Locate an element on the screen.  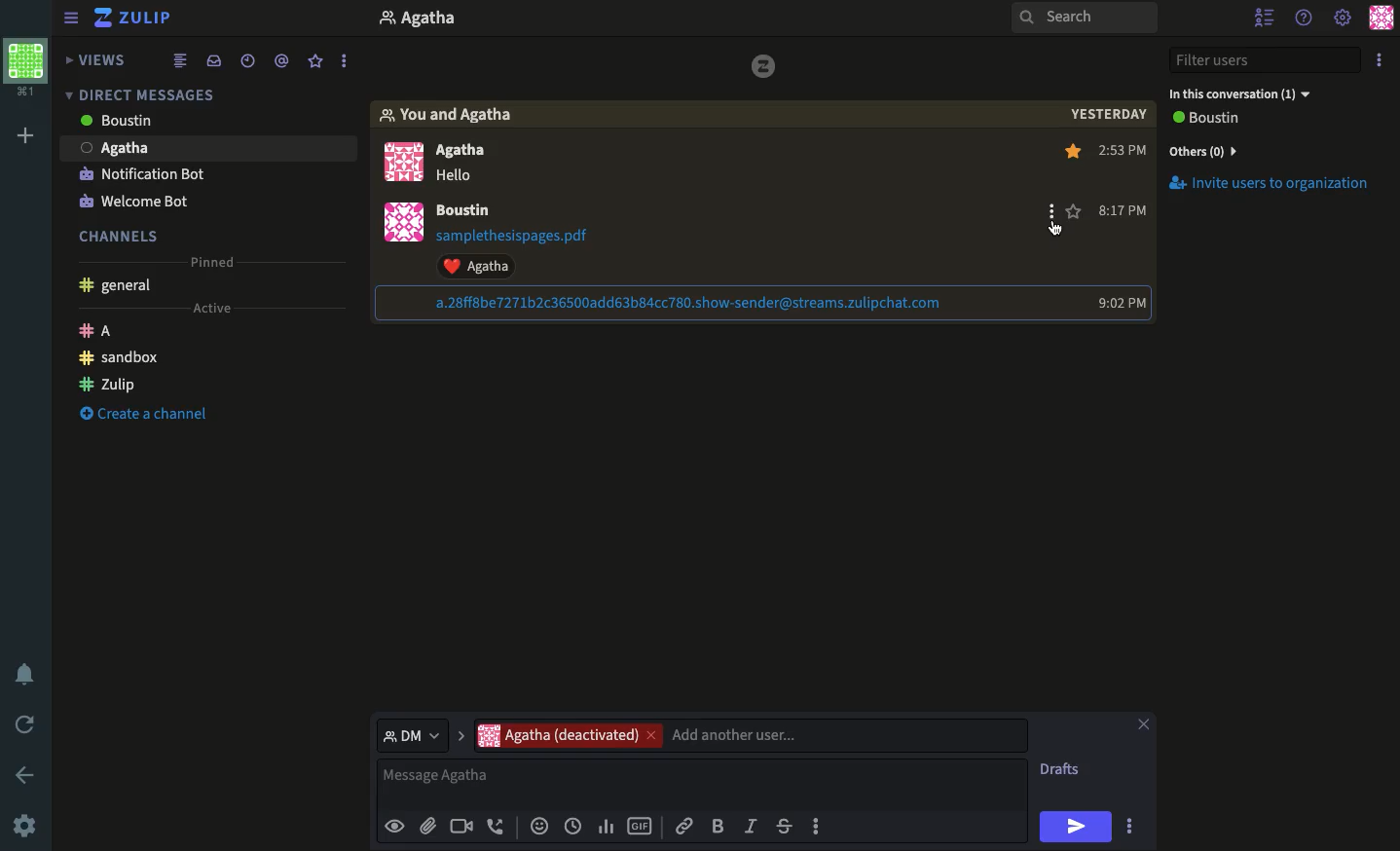
Notification bot is located at coordinates (142, 176).